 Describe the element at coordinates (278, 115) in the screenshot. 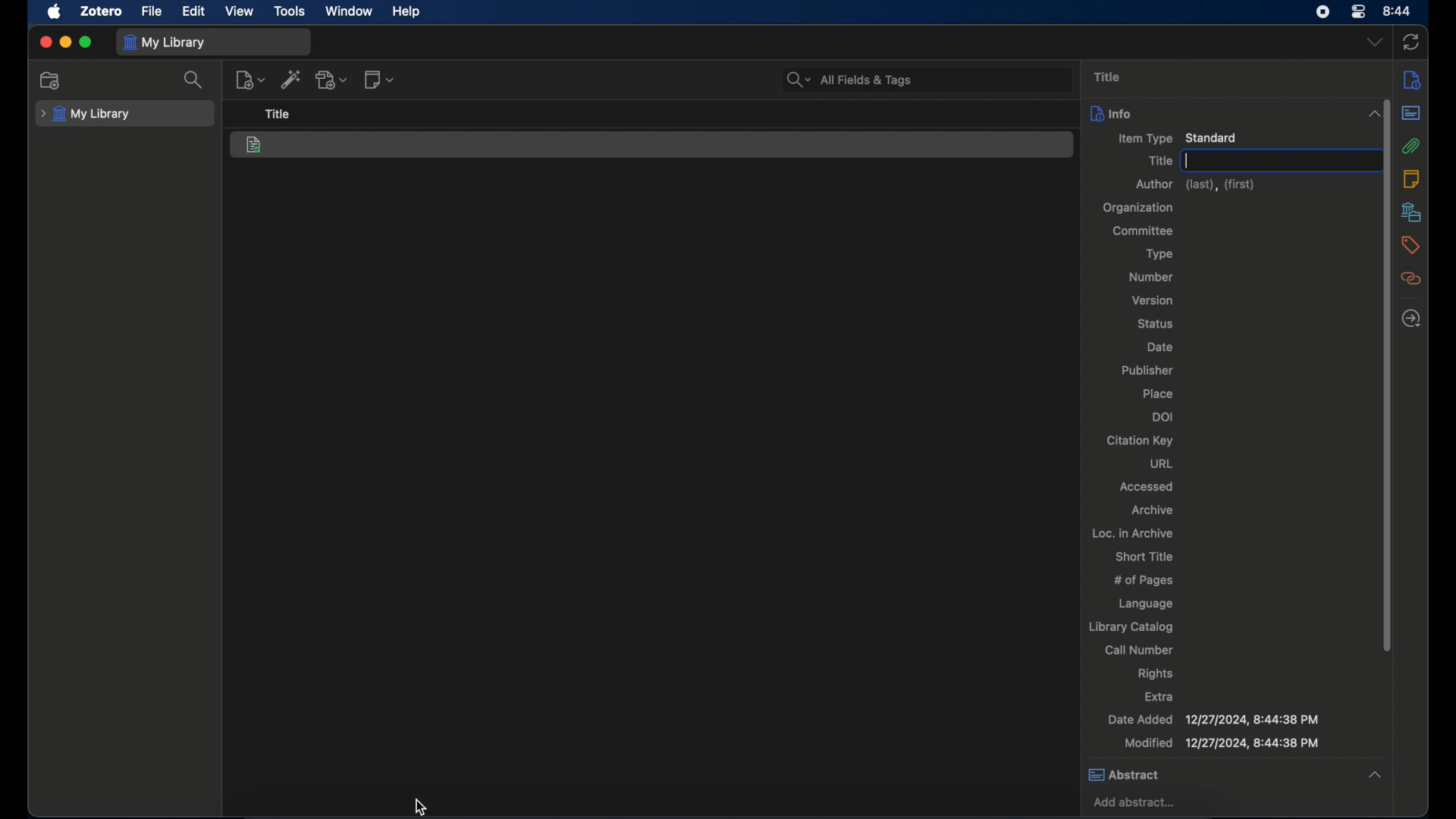

I see `title` at that location.